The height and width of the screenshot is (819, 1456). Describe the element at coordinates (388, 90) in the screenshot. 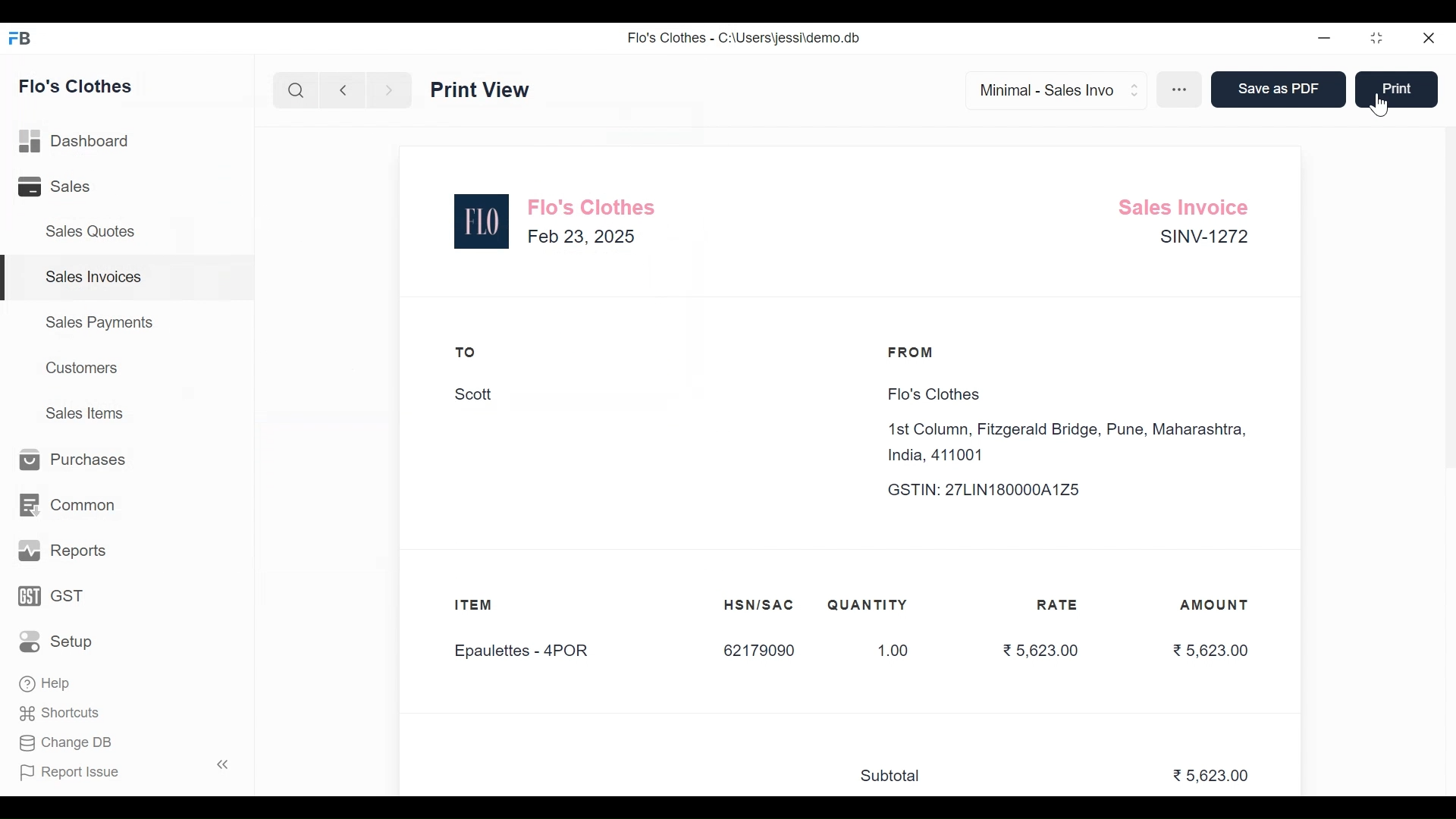

I see `Navigate Forward` at that location.